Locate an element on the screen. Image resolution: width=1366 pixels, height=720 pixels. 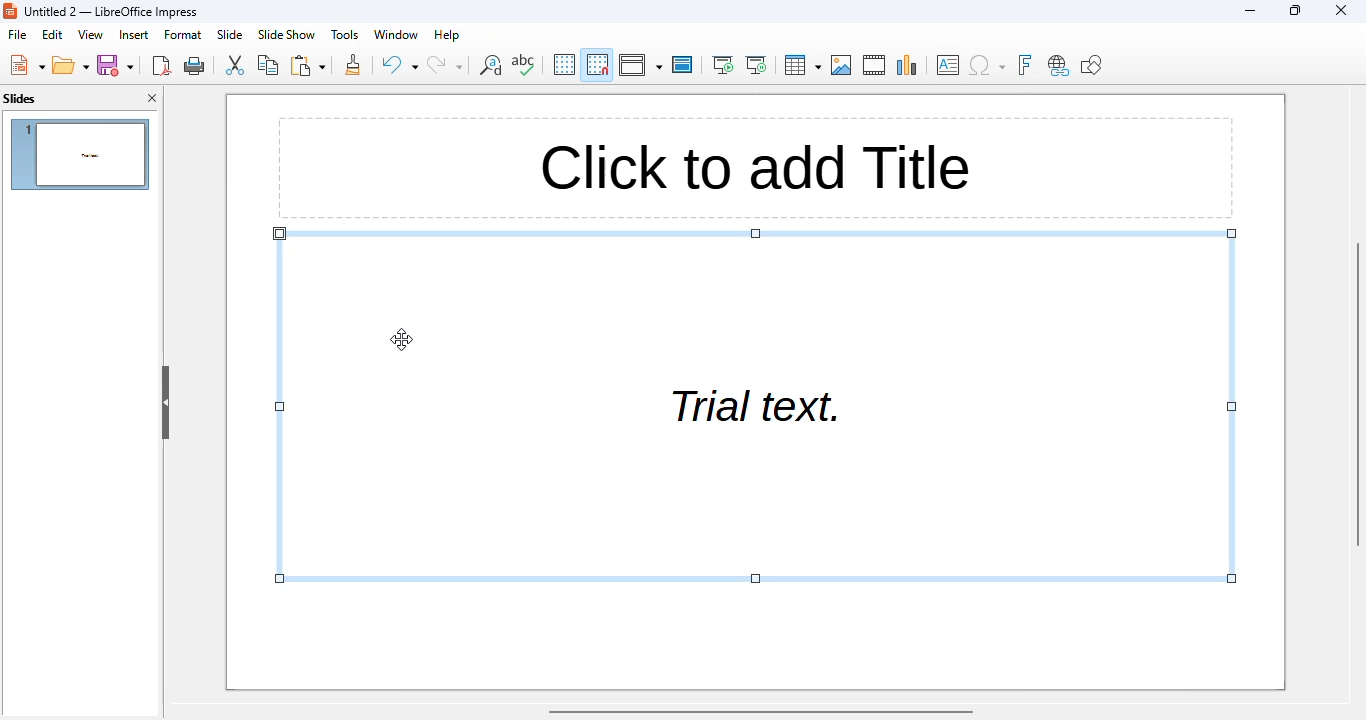
redo is located at coordinates (445, 65).